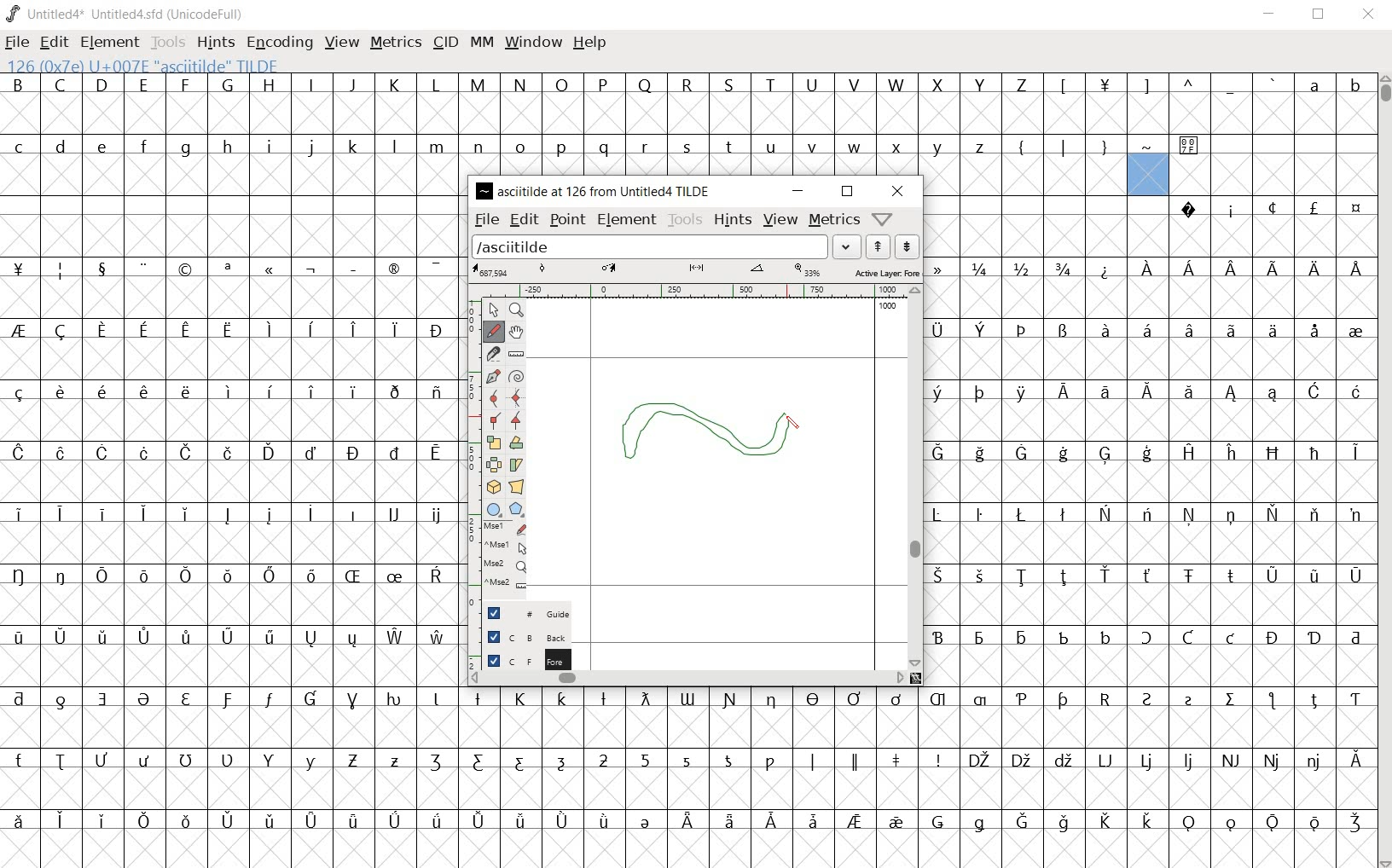 The height and width of the screenshot is (868, 1392). I want to click on cut splines in two, so click(496, 354).